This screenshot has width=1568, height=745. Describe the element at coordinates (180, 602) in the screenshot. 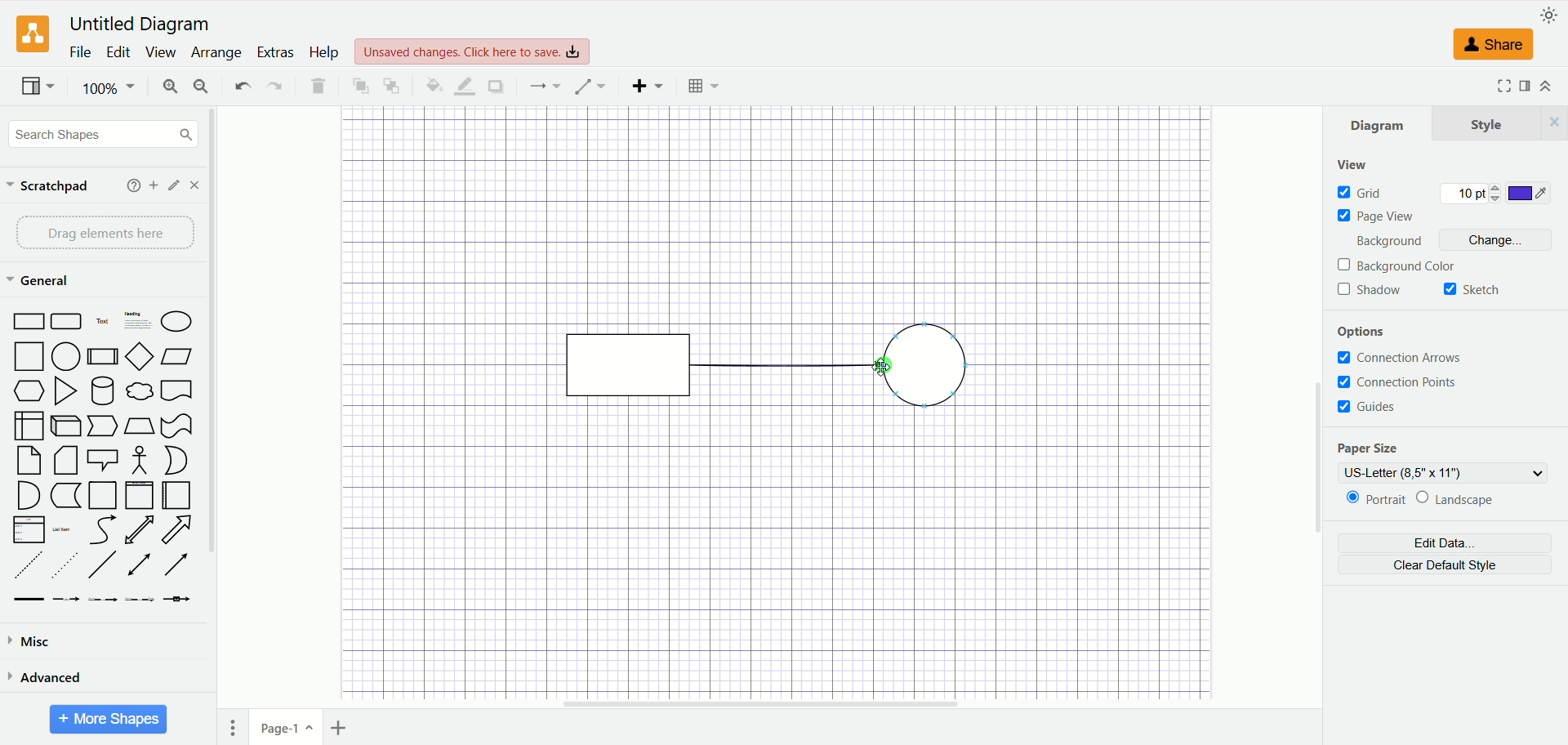

I see `Connector with Icon Symbol` at that location.